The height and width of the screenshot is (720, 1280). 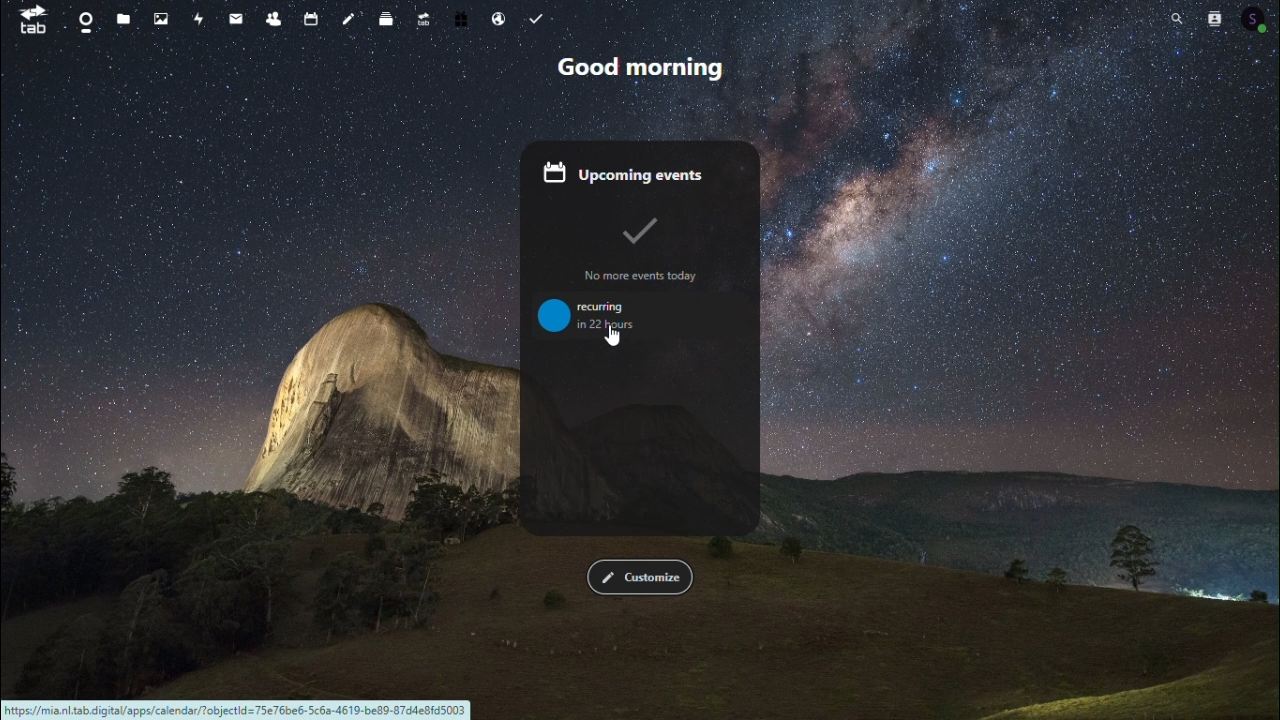 What do you see at coordinates (645, 71) in the screenshot?
I see `Good morning` at bounding box center [645, 71].